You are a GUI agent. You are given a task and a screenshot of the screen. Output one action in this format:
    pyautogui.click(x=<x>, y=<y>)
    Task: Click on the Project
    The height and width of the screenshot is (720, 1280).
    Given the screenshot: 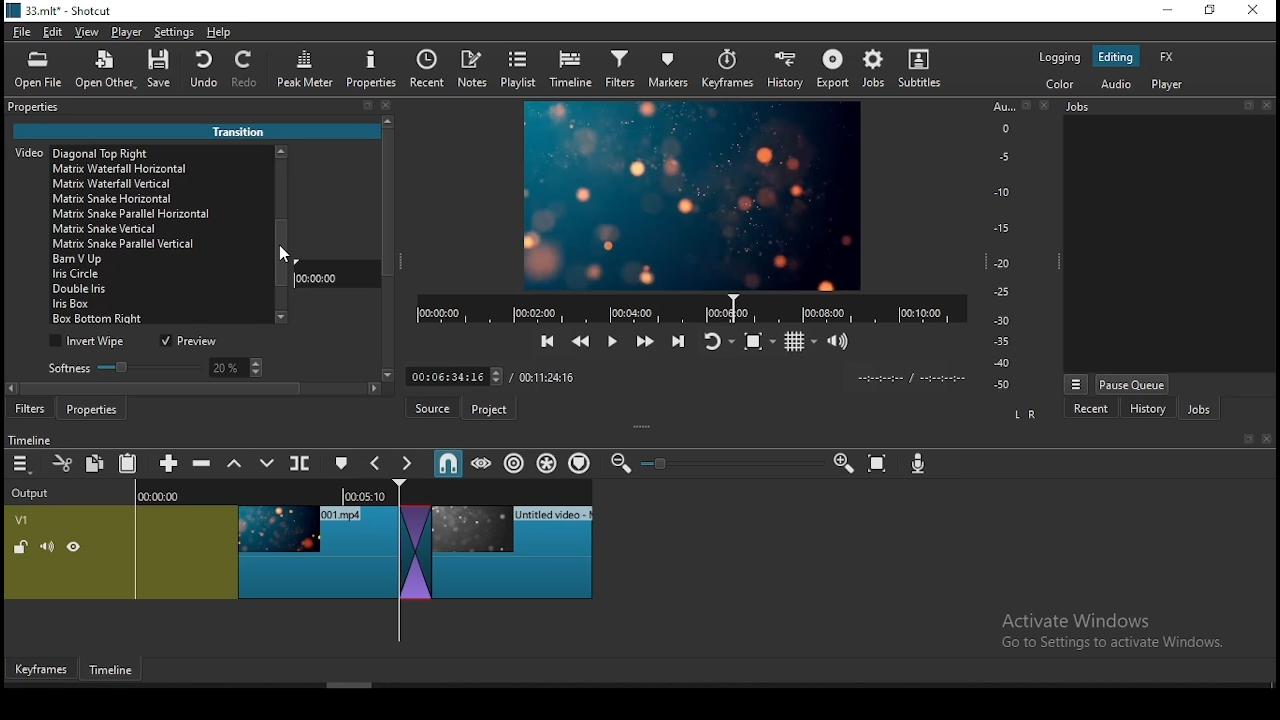 What is the action you would take?
    pyautogui.click(x=492, y=409)
    